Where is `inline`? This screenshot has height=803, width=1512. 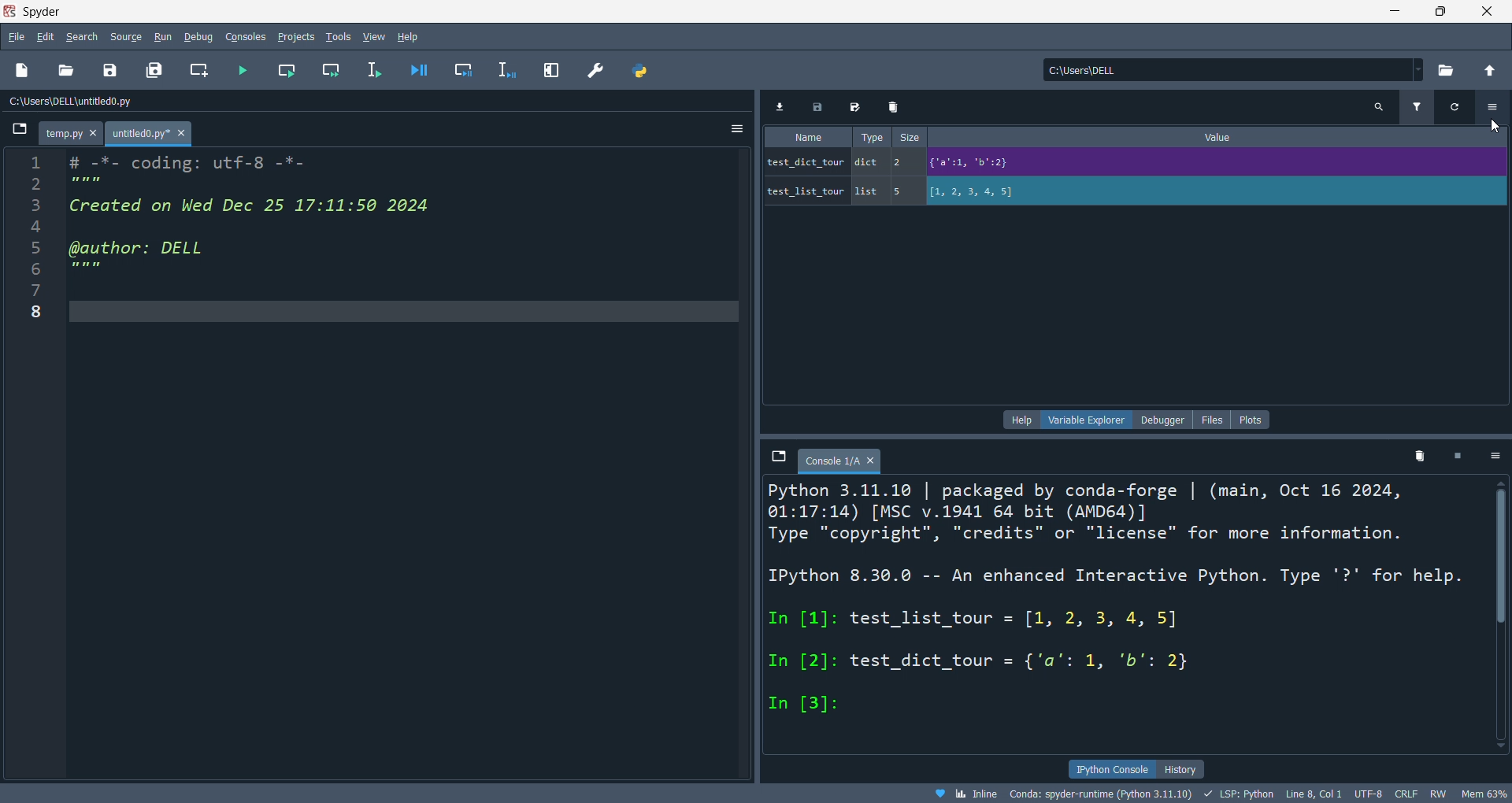
inline is located at coordinates (964, 792).